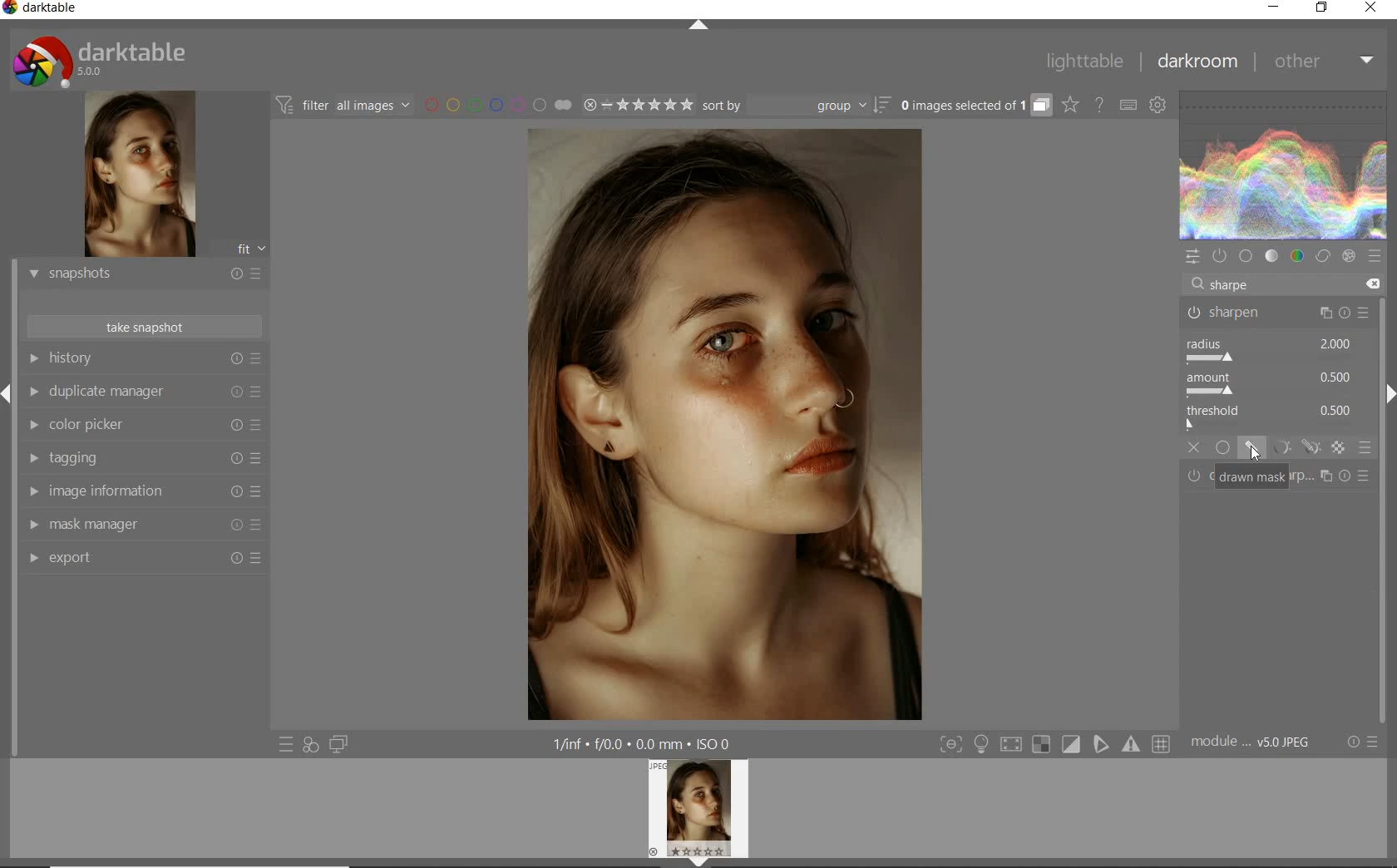 Image resolution: width=1397 pixels, height=868 pixels. Describe the element at coordinates (1364, 742) in the screenshot. I see `reset or presets & preferences` at that location.